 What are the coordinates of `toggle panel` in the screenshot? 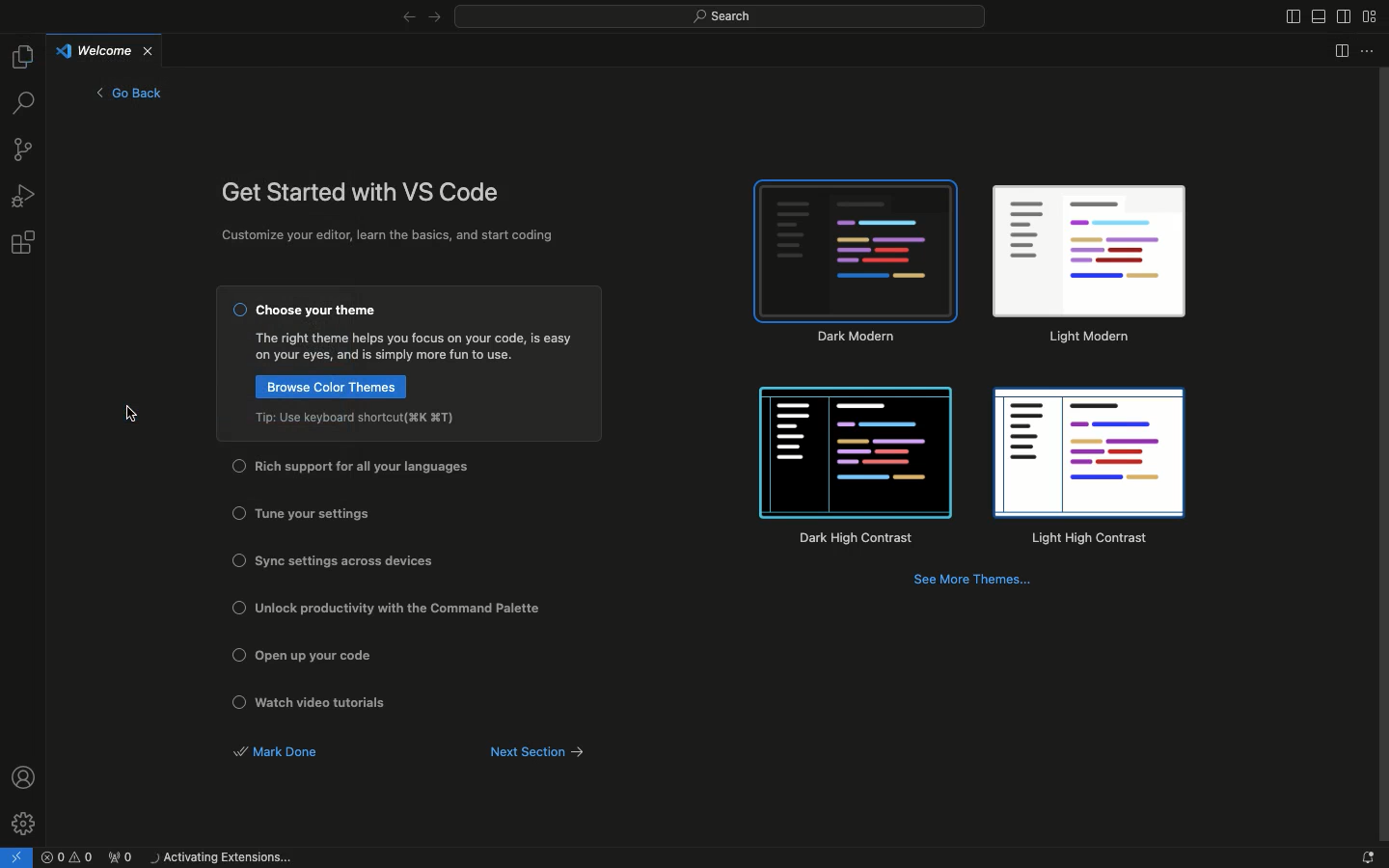 It's located at (1319, 16).